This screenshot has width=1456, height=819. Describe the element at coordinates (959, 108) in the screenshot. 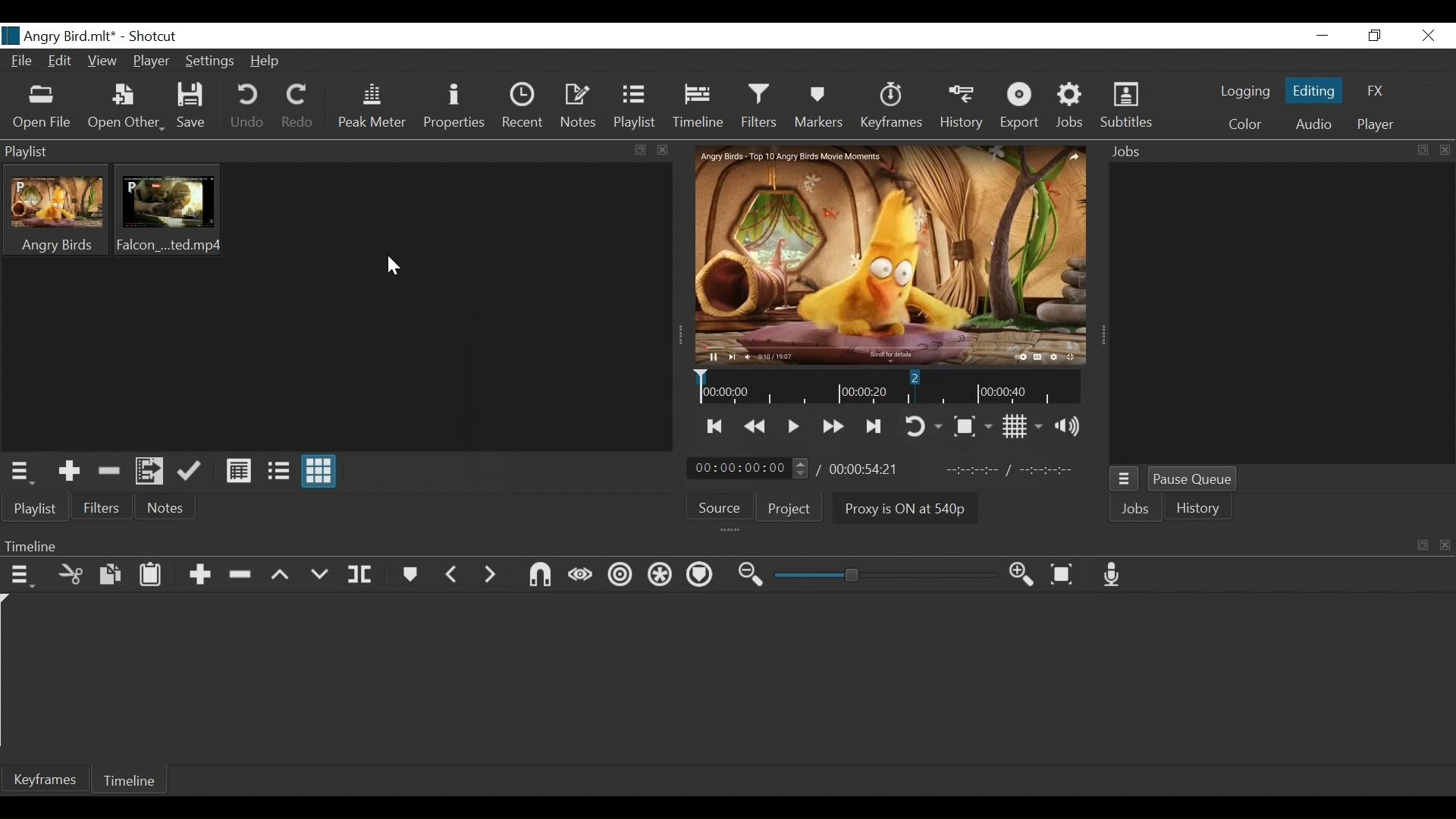

I see `History` at that location.